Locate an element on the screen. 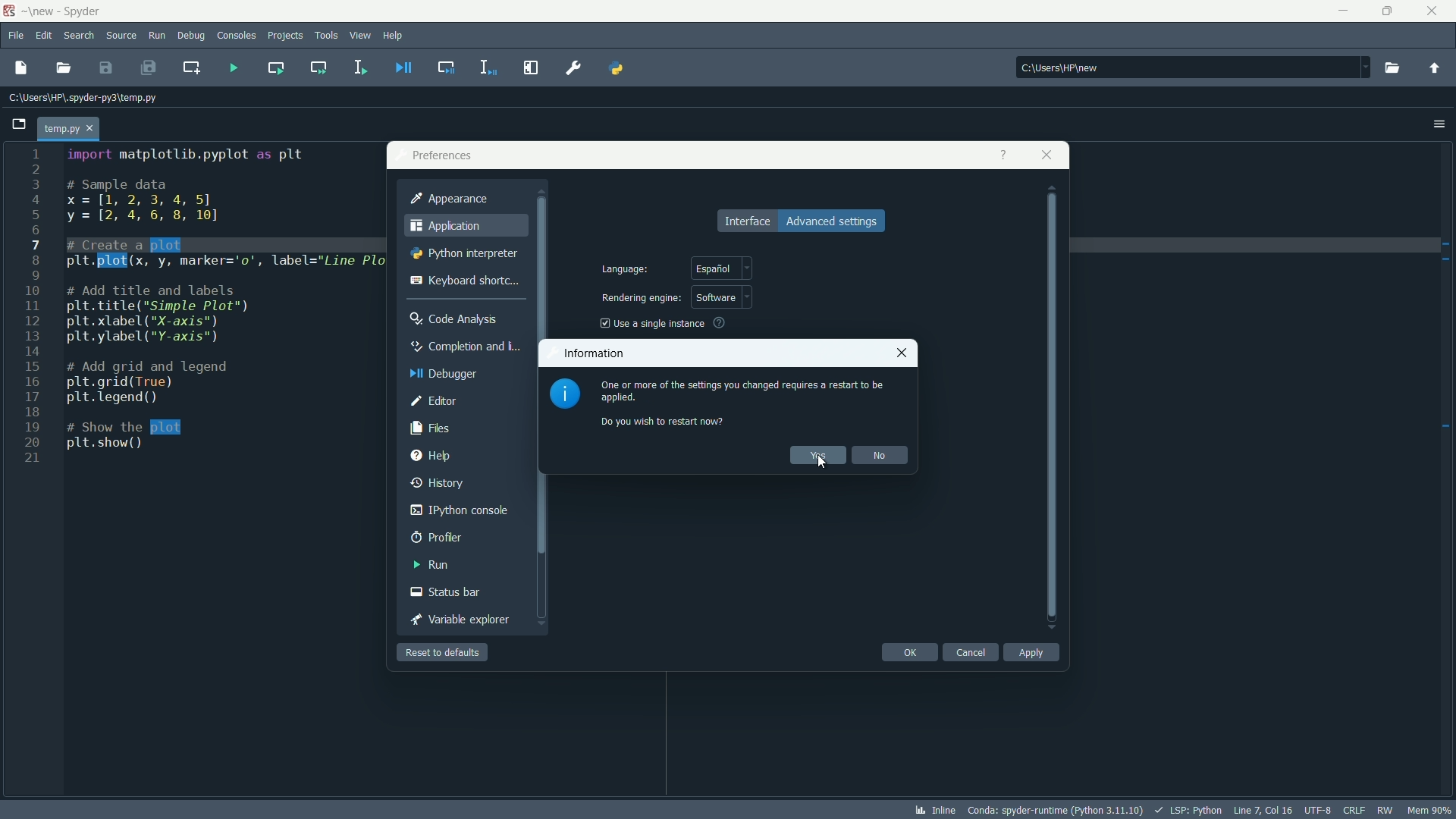  vertical scrollbar is located at coordinates (1053, 406).